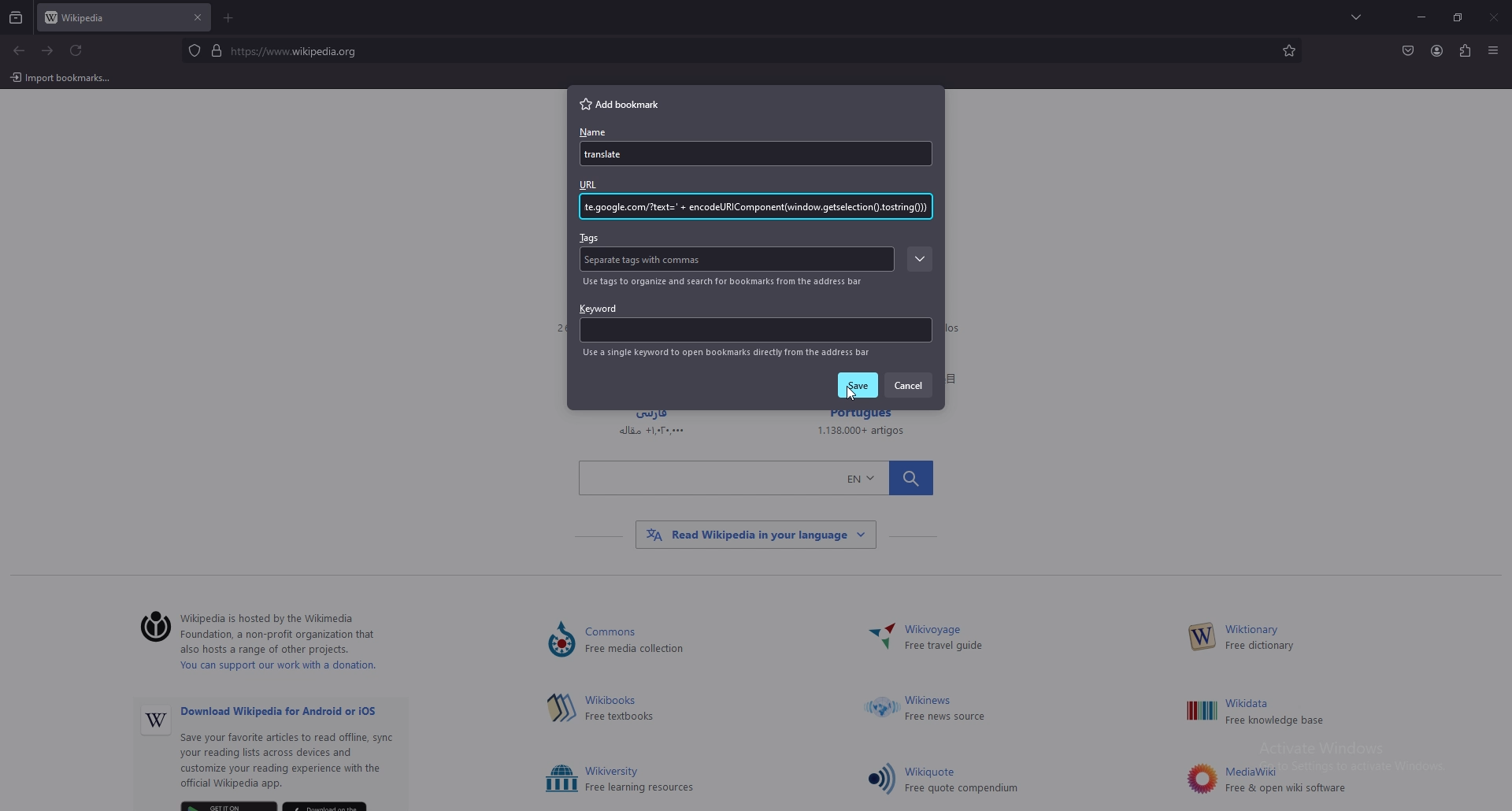 This screenshot has width=1512, height=811. Describe the element at coordinates (880, 778) in the screenshot. I see `` at that location.